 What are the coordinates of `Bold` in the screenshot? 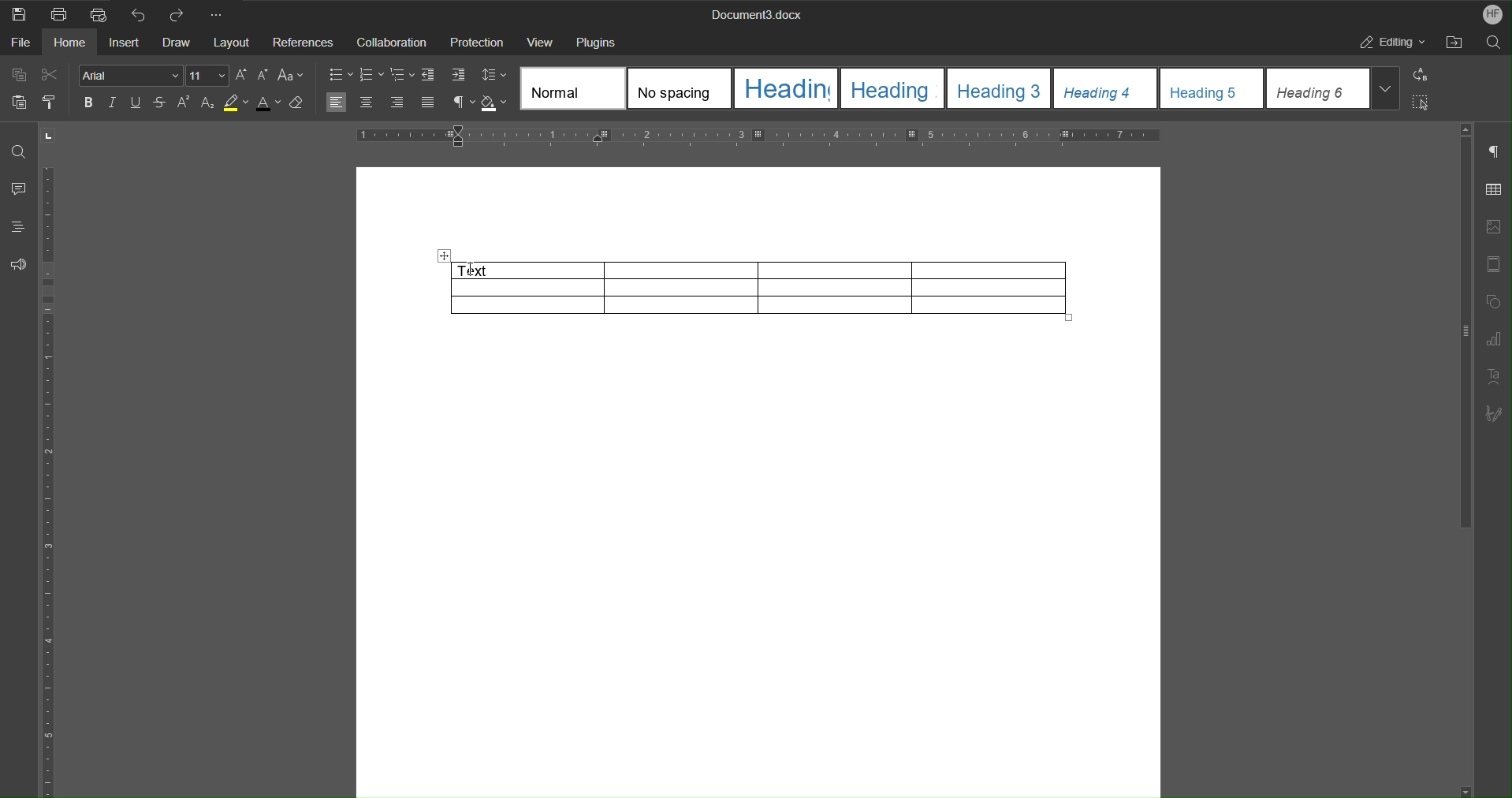 It's located at (91, 103).